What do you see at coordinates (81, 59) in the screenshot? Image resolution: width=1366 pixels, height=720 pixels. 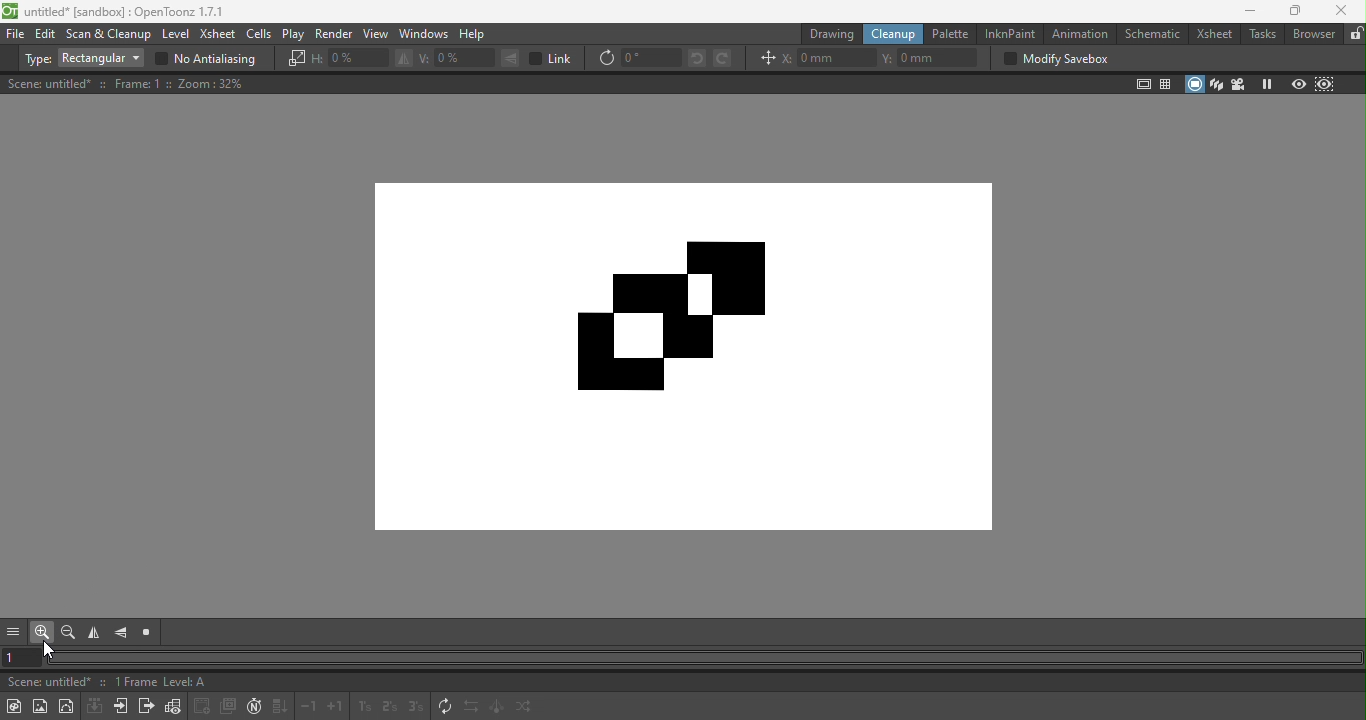 I see `Type` at bounding box center [81, 59].